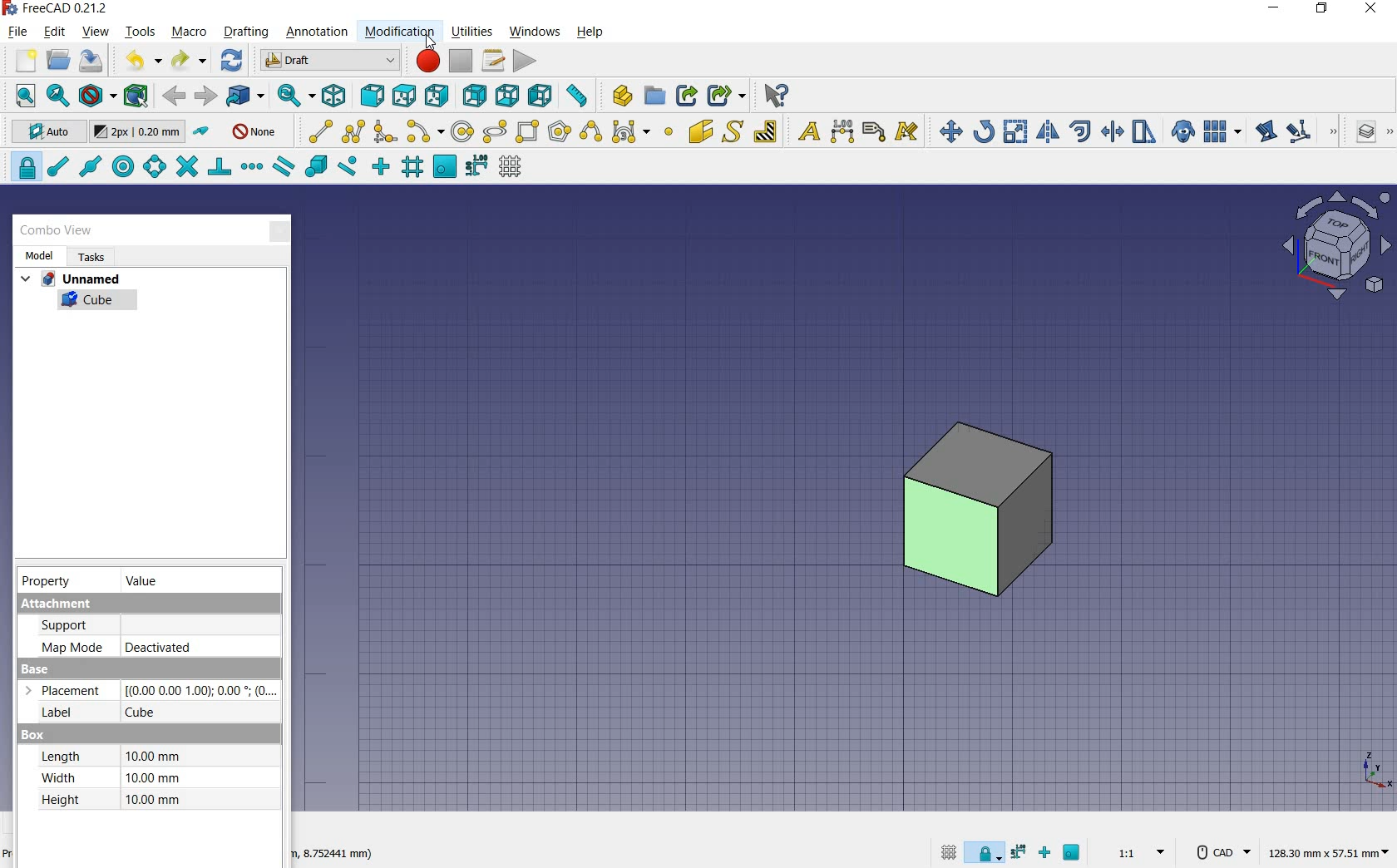 Image resolution: width=1397 pixels, height=868 pixels. What do you see at coordinates (189, 166) in the screenshot?
I see `snap intersection` at bounding box center [189, 166].